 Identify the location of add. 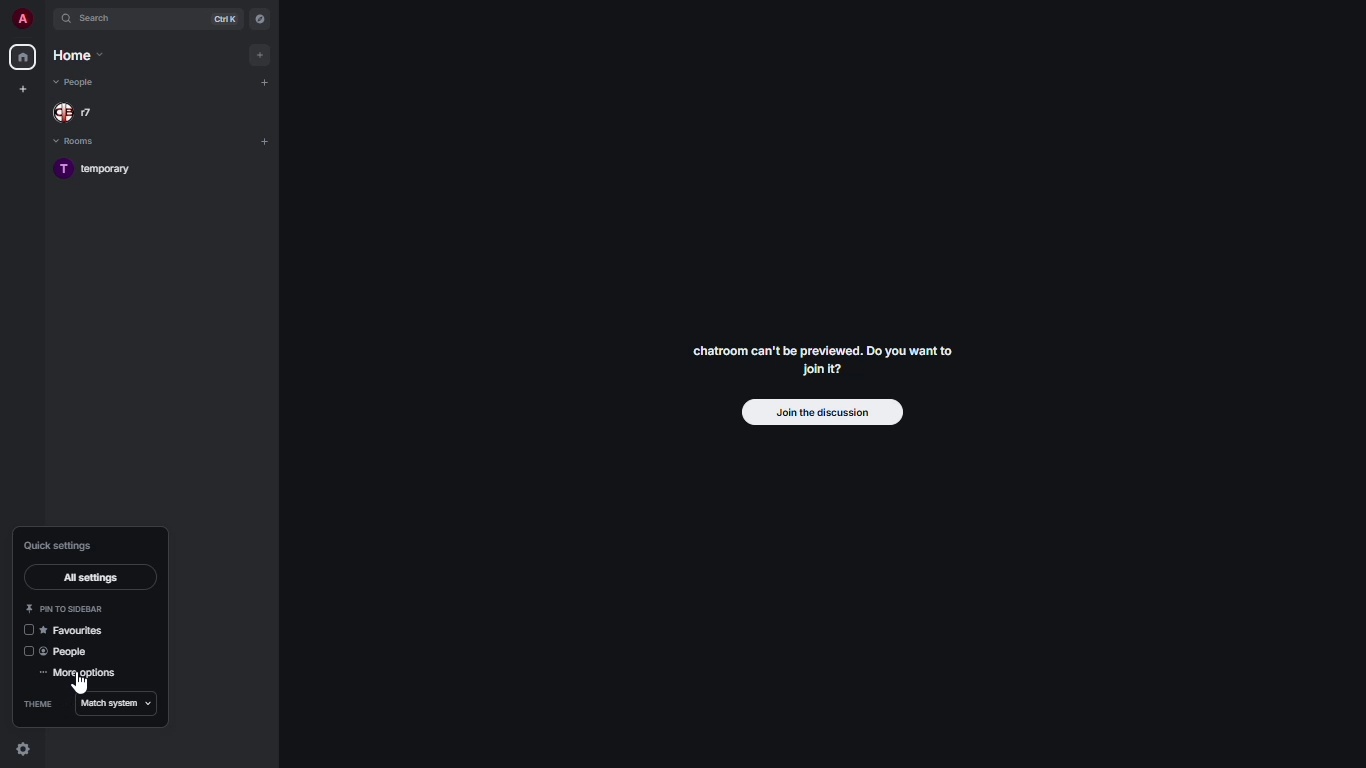
(264, 141).